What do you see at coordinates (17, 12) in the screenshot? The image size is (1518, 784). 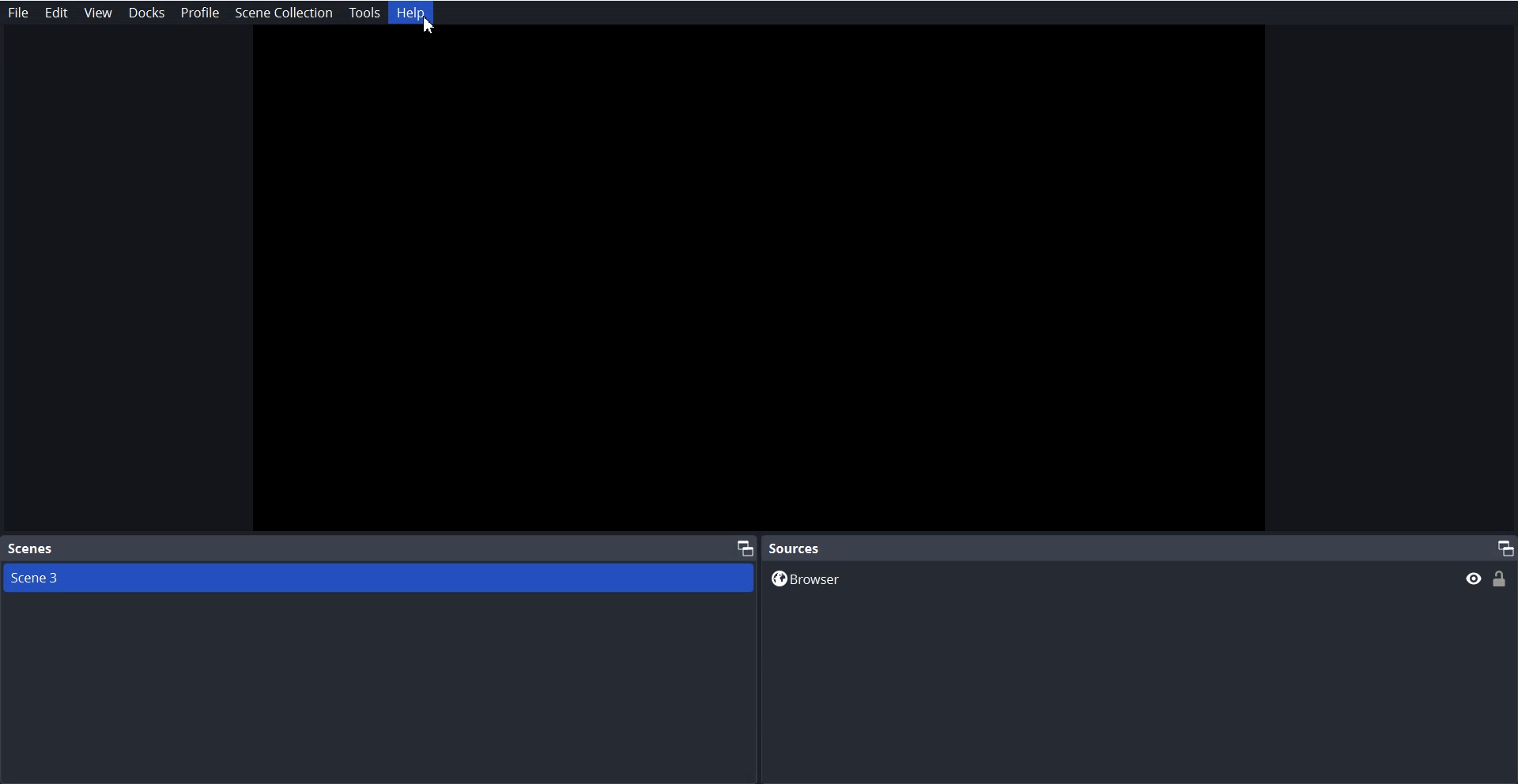 I see `File` at bounding box center [17, 12].